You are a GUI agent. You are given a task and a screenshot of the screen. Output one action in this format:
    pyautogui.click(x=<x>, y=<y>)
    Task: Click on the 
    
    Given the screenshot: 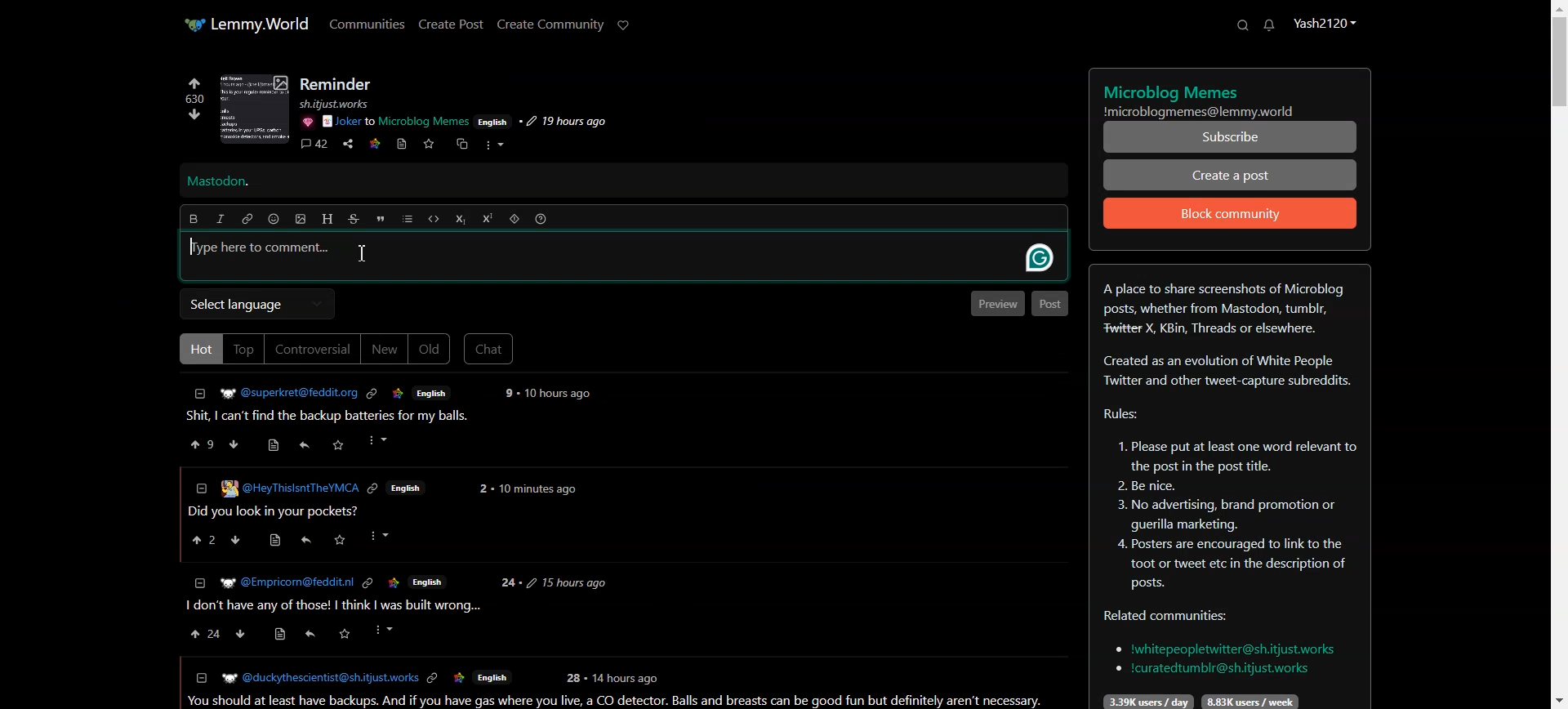 What is the action you would take?
    pyautogui.click(x=285, y=582)
    